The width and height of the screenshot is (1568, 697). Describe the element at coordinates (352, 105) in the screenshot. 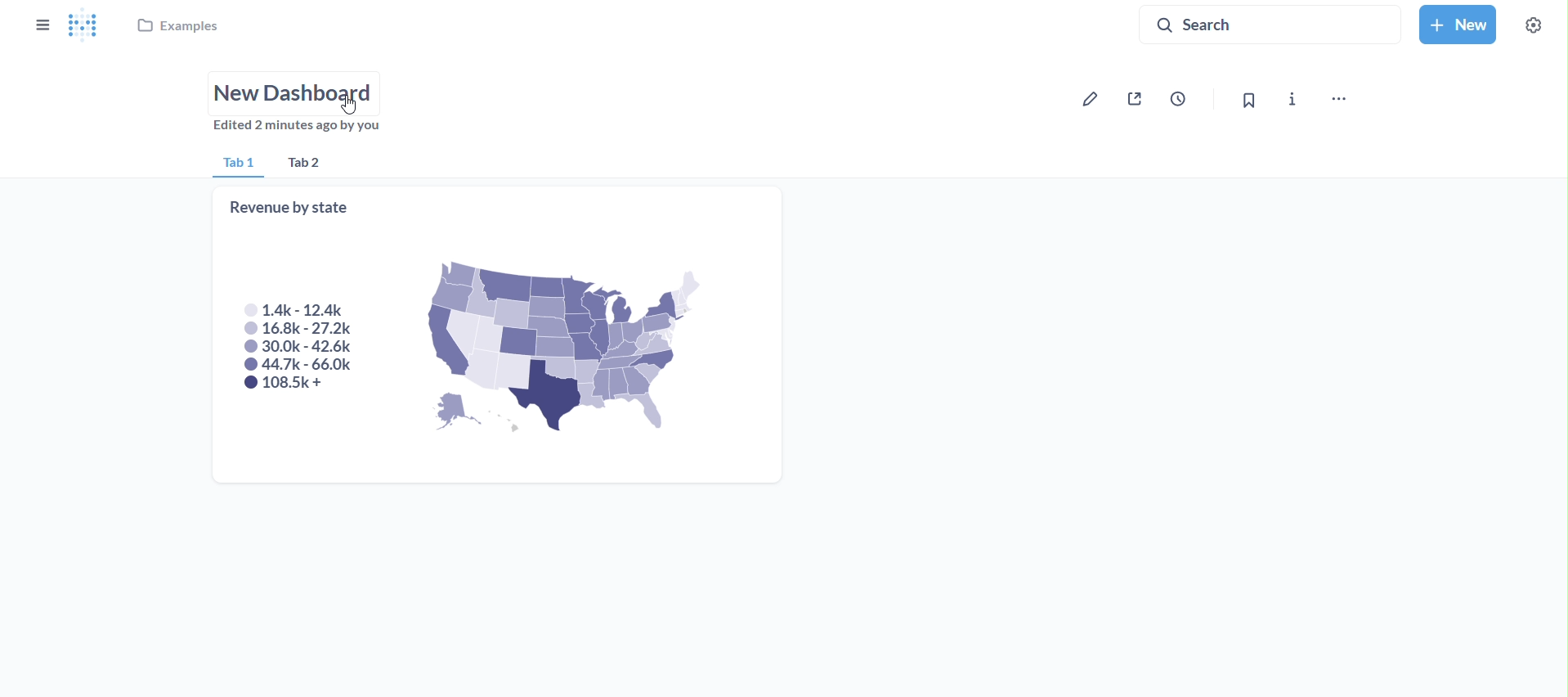

I see `cursor` at that location.